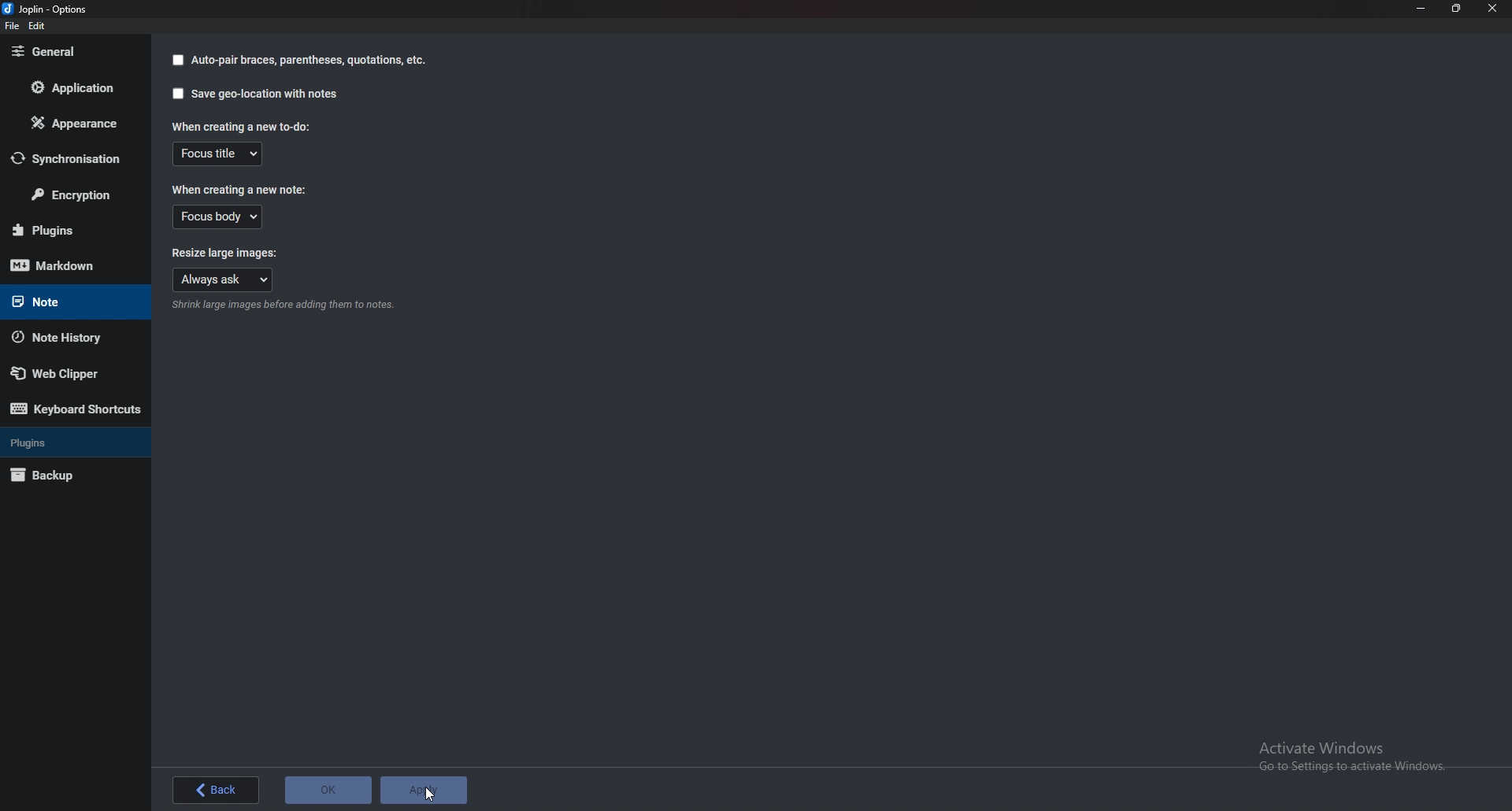 This screenshot has width=1512, height=811. I want to click on Encryption, so click(76, 195).